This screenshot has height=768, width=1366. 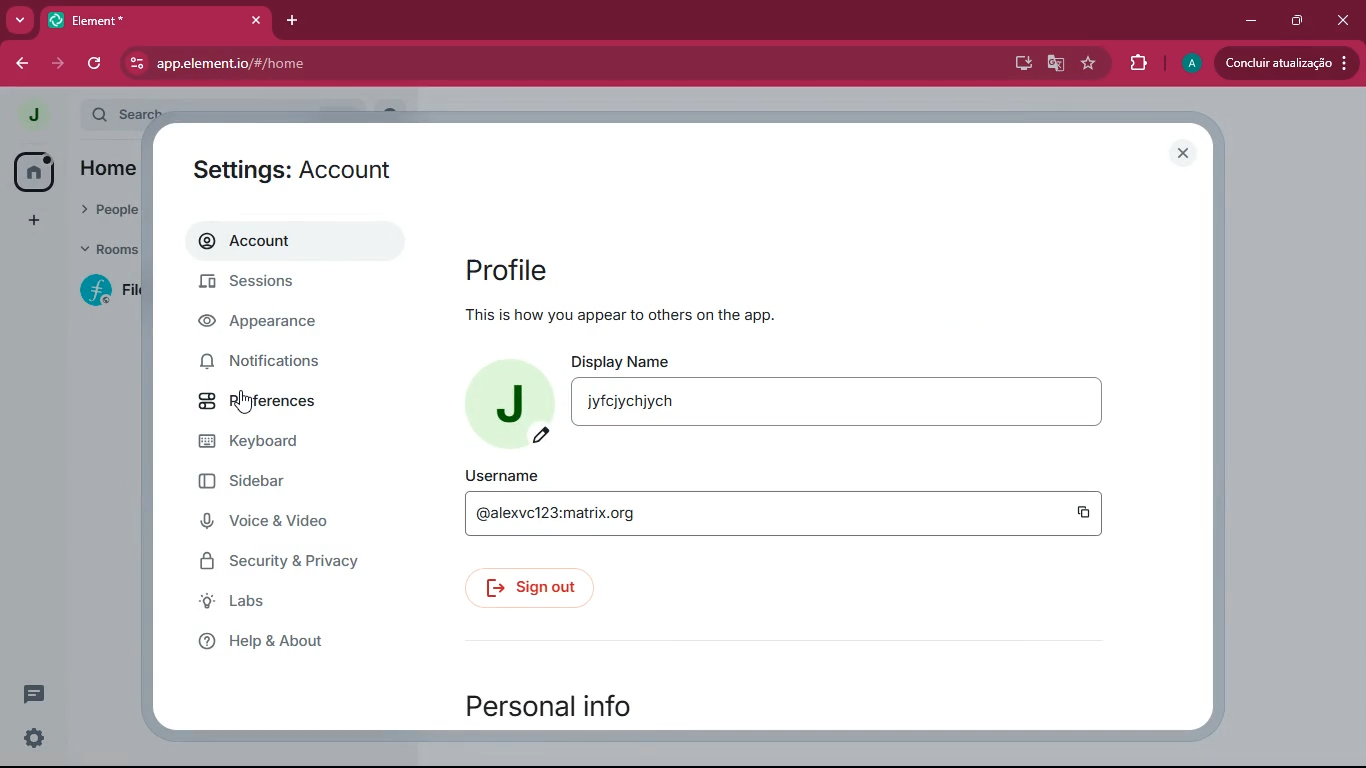 I want to click on jyfcjychjych, so click(x=836, y=401).